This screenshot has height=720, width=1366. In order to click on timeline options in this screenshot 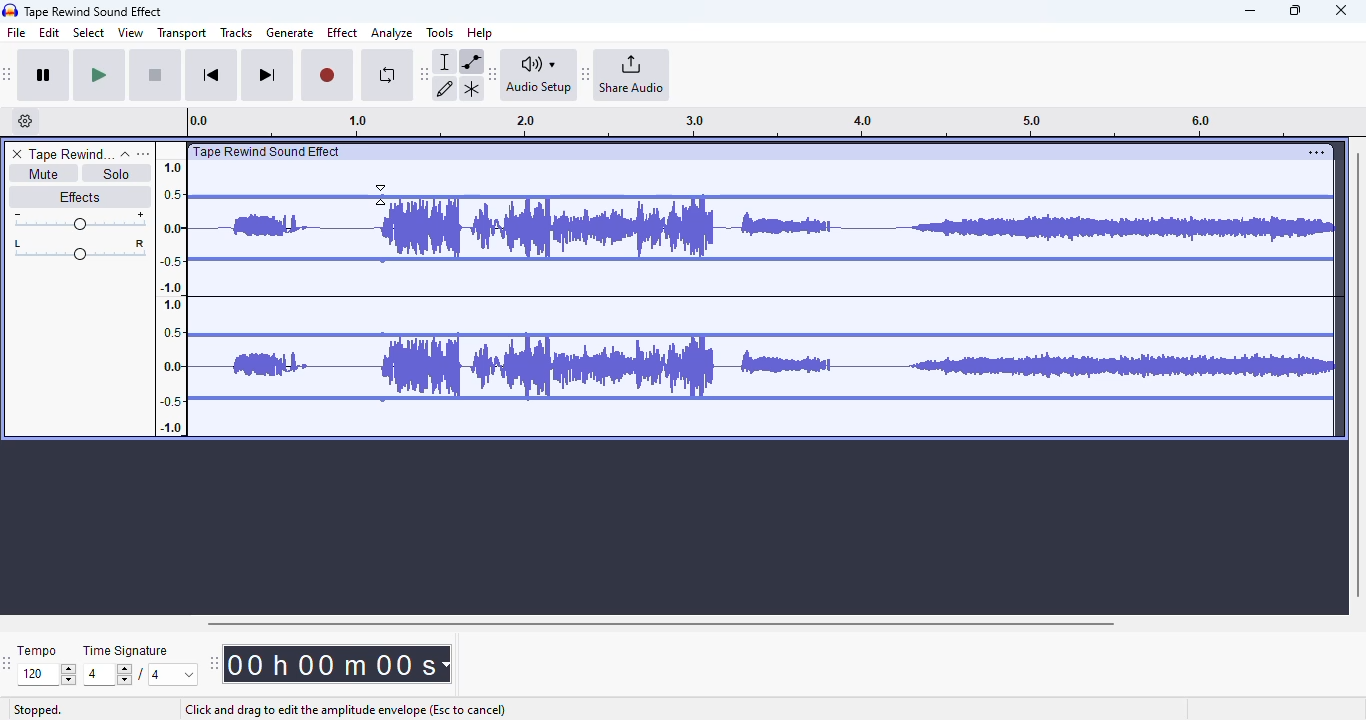, I will do `click(26, 121)`.